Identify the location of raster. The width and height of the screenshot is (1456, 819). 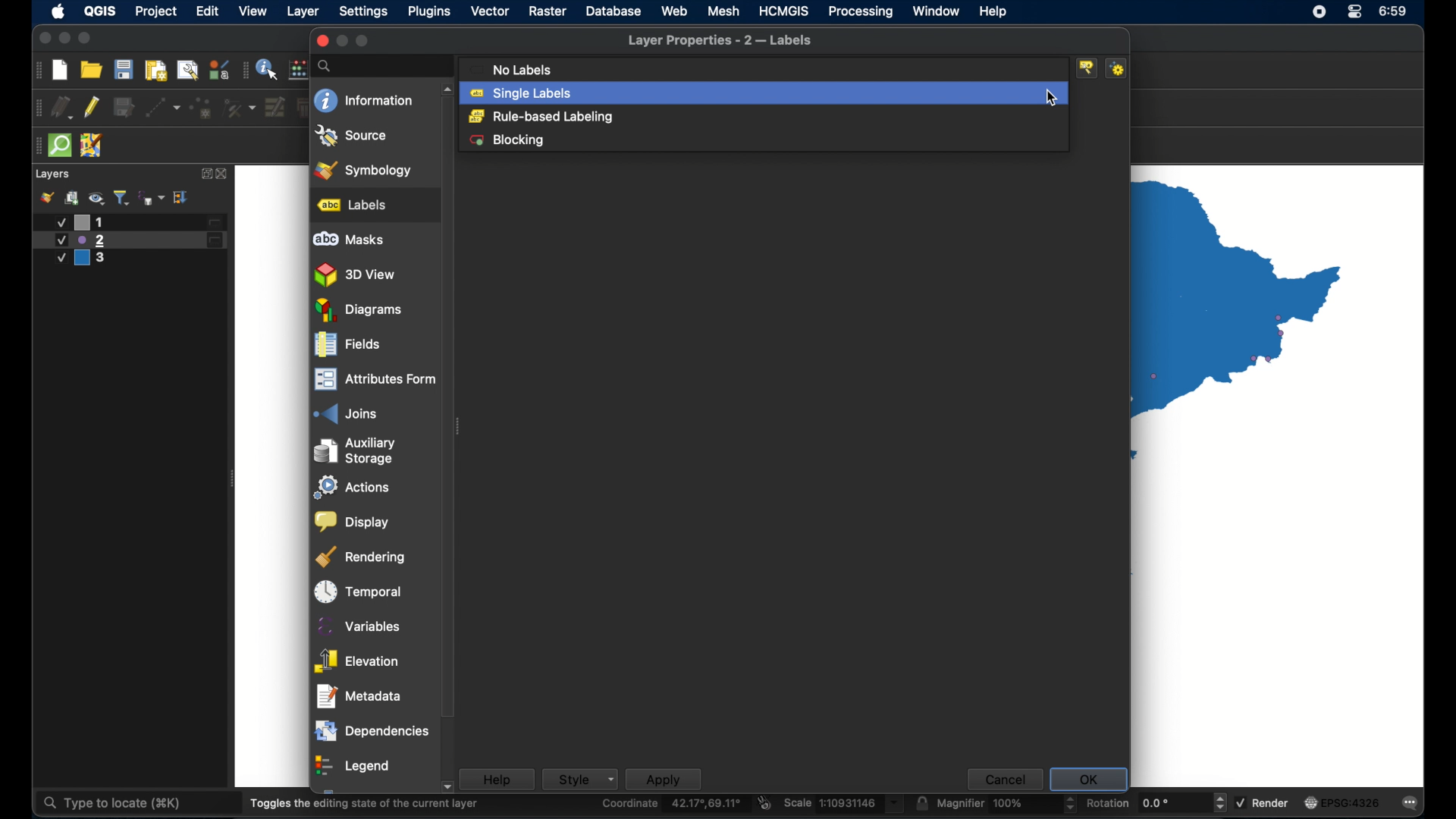
(548, 11).